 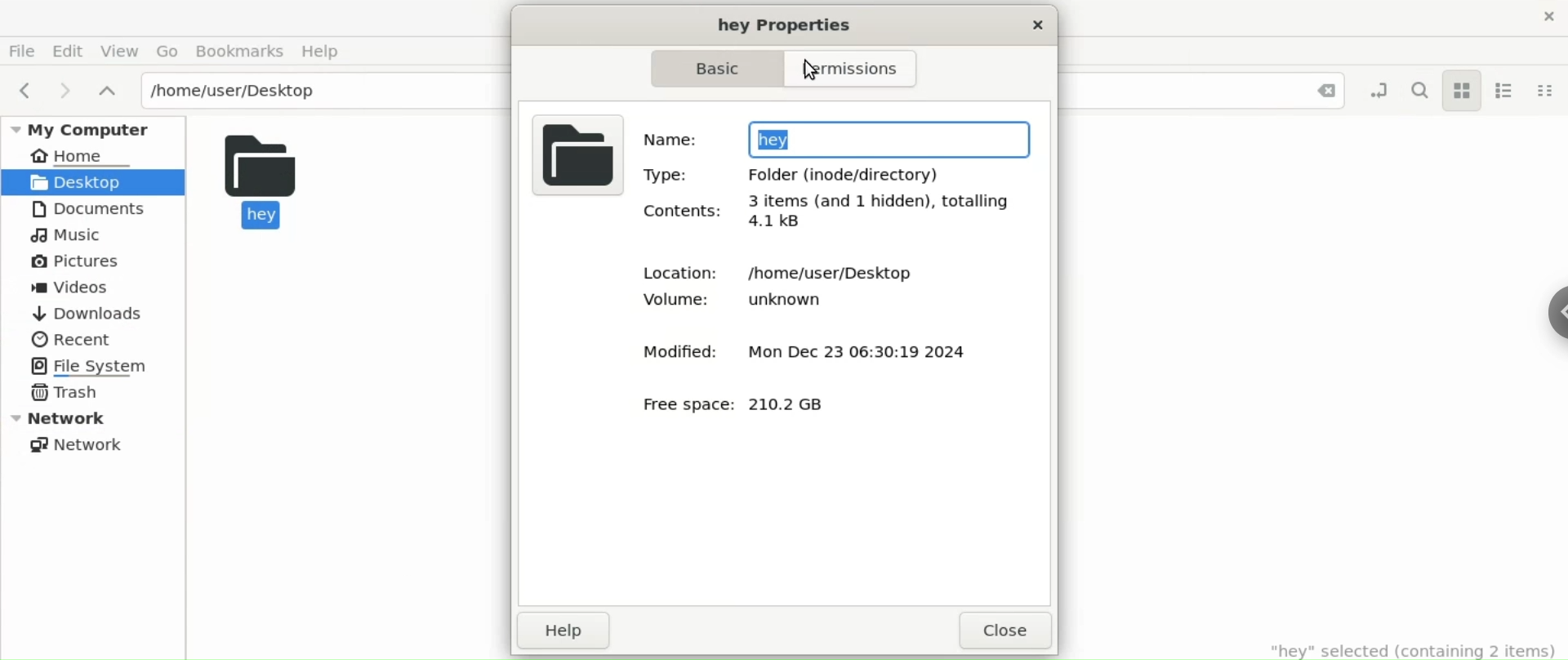 What do you see at coordinates (119, 51) in the screenshot?
I see `View` at bounding box center [119, 51].